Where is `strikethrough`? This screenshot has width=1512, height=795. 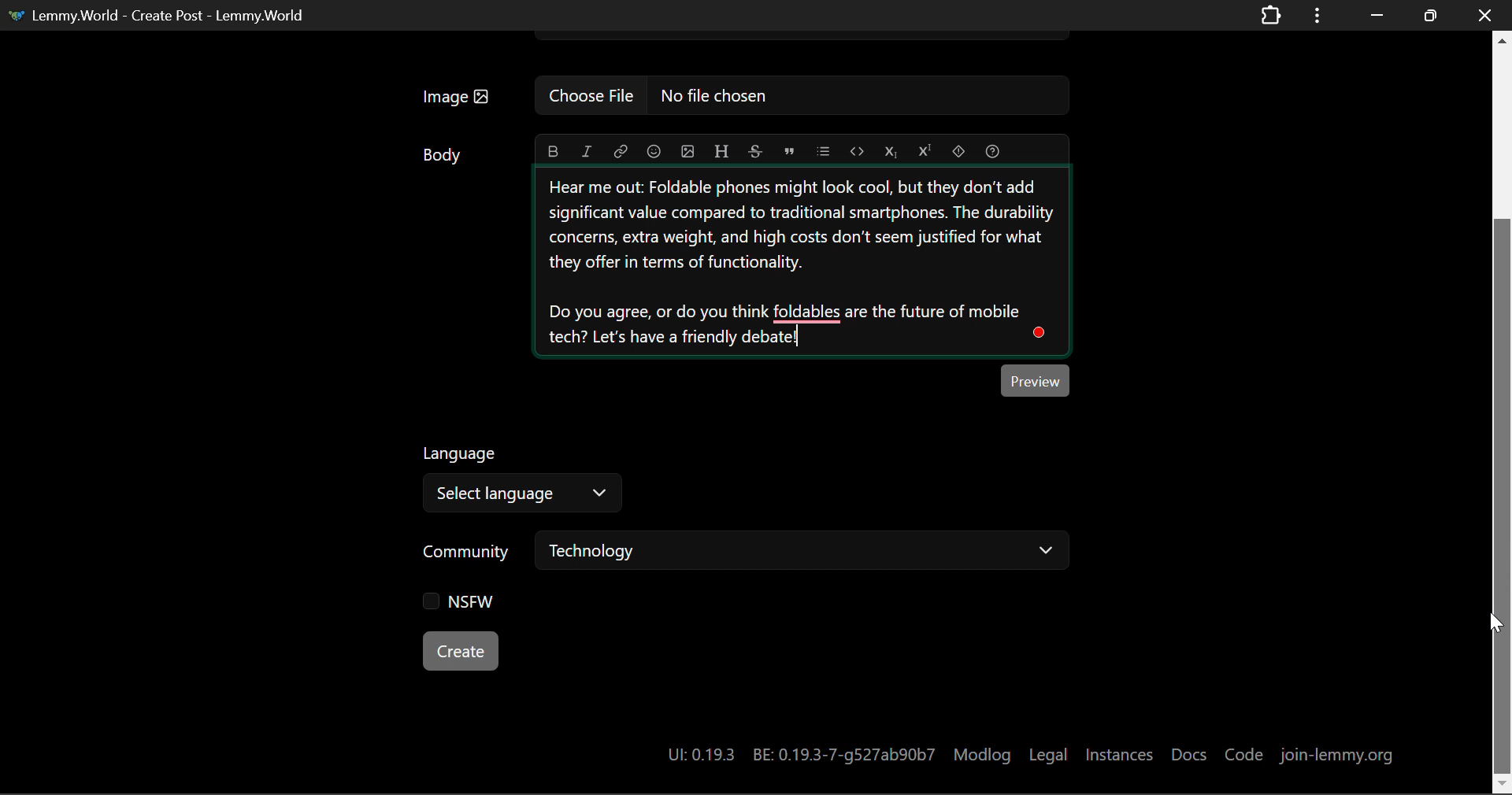
strikethrough is located at coordinates (756, 151).